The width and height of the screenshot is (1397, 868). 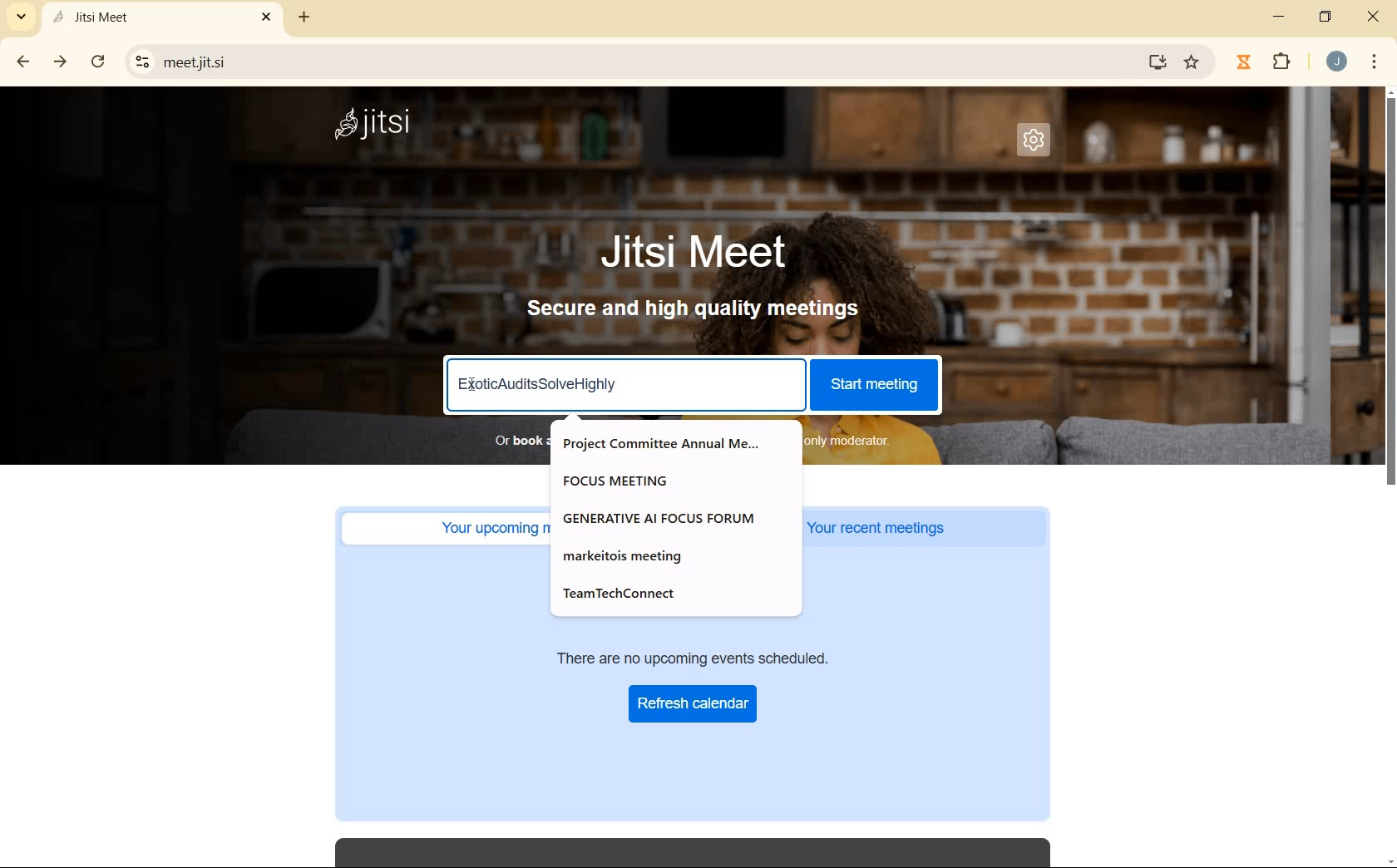 What do you see at coordinates (663, 518) in the screenshot?
I see `GENERATIVE Al FOCUS FORUM` at bounding box center [663, 518].